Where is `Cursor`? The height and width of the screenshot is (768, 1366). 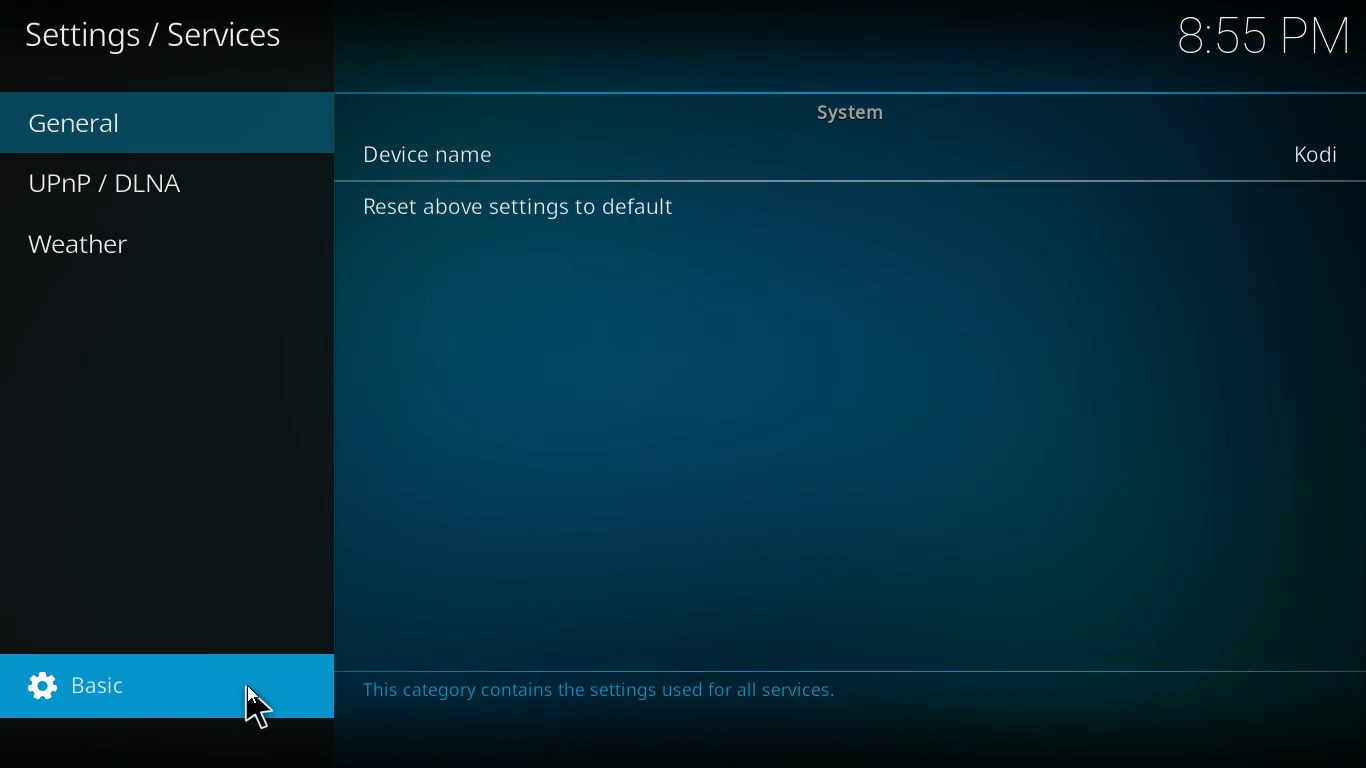
Cursor is located at coordinates (258, 711).